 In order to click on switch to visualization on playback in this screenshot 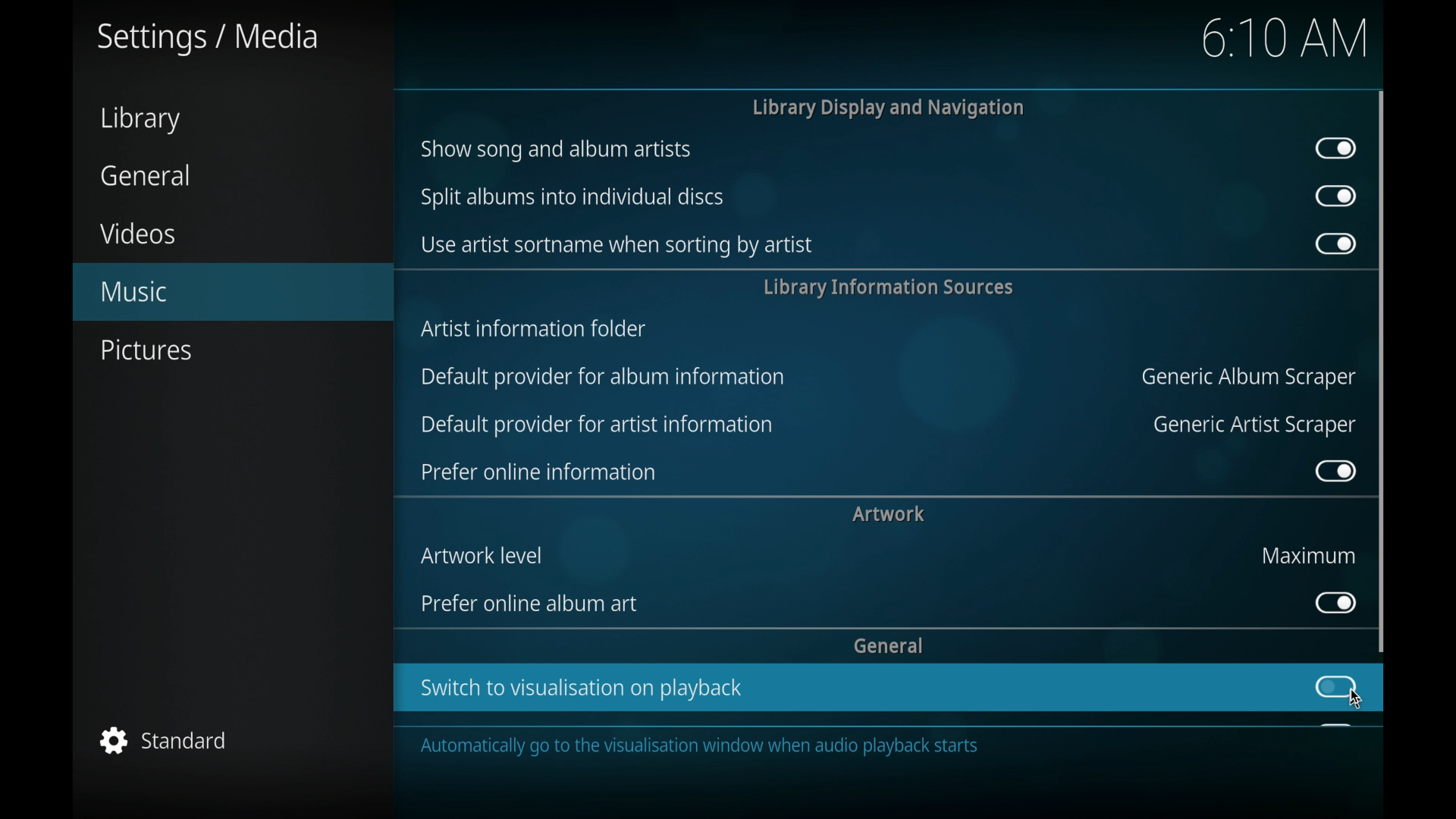, I will do `click(583, 689)`.